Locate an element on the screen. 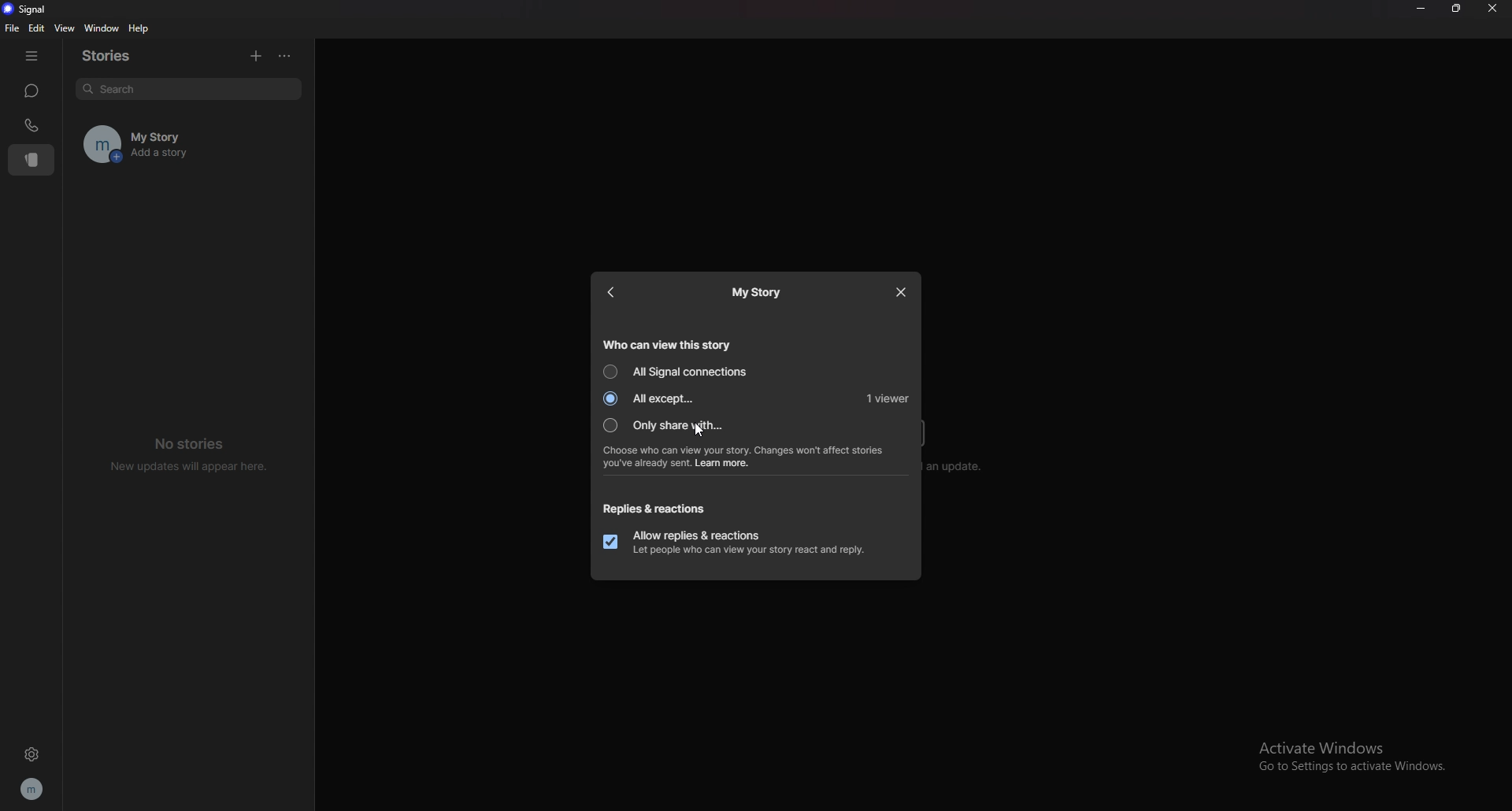  1 viewer is located at coordinates (889, 398).